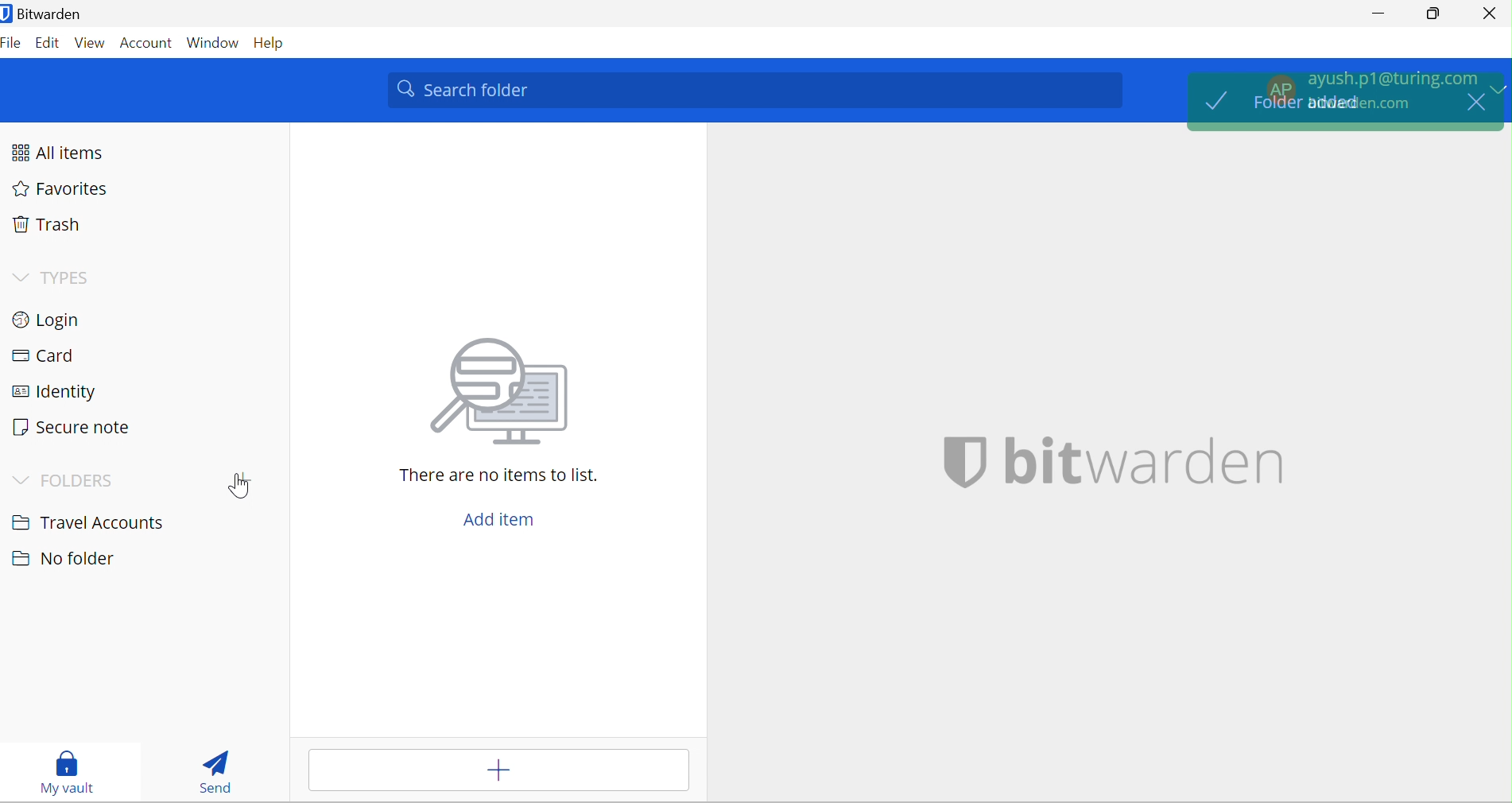 This screenshot has height=803, width=1512. Describe the element at coordinates (212, 41) in the screenshot. I see `Window` at that location.